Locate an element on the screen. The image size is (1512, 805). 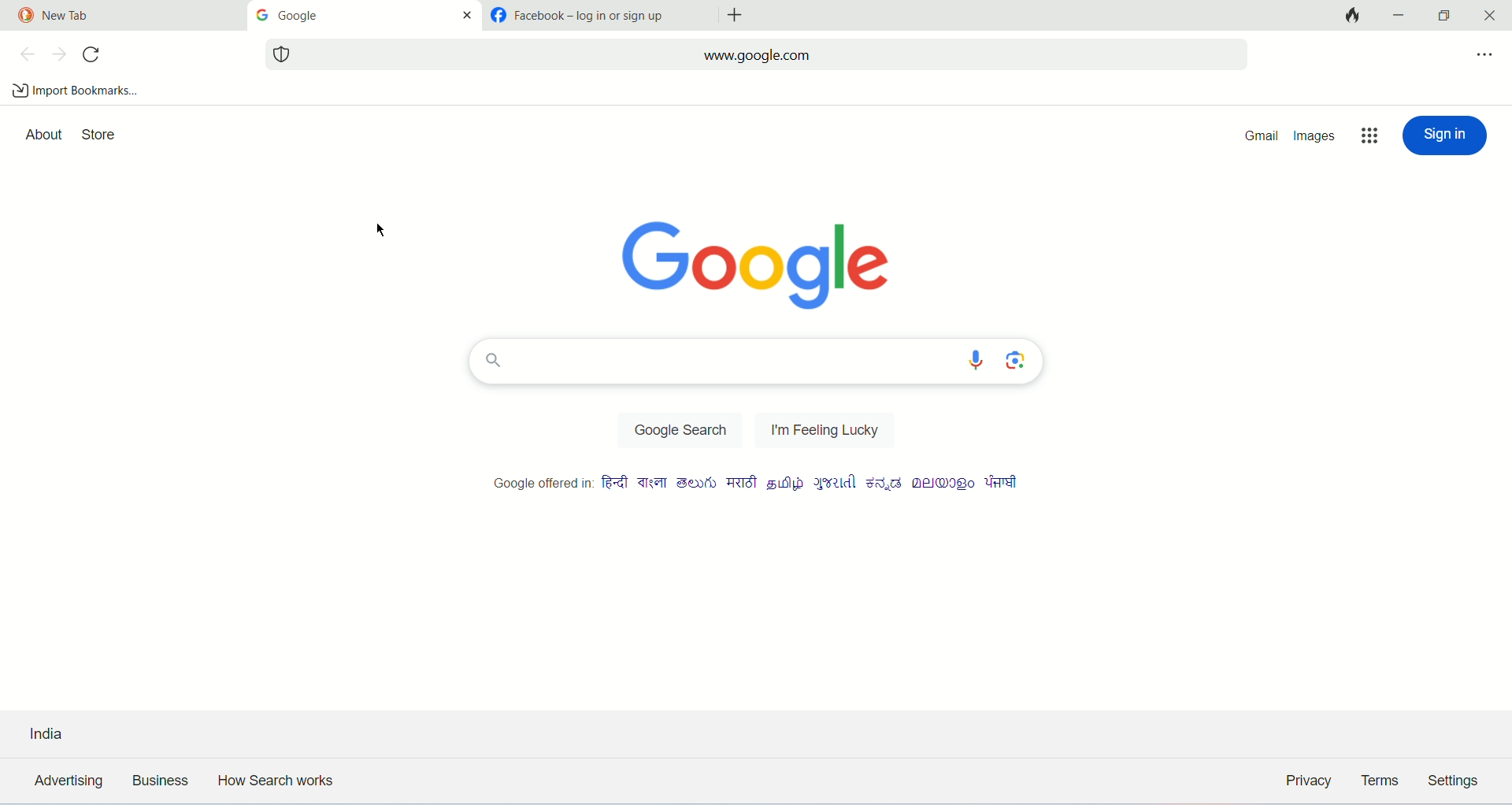
previous is located at coordinates (24, 54).